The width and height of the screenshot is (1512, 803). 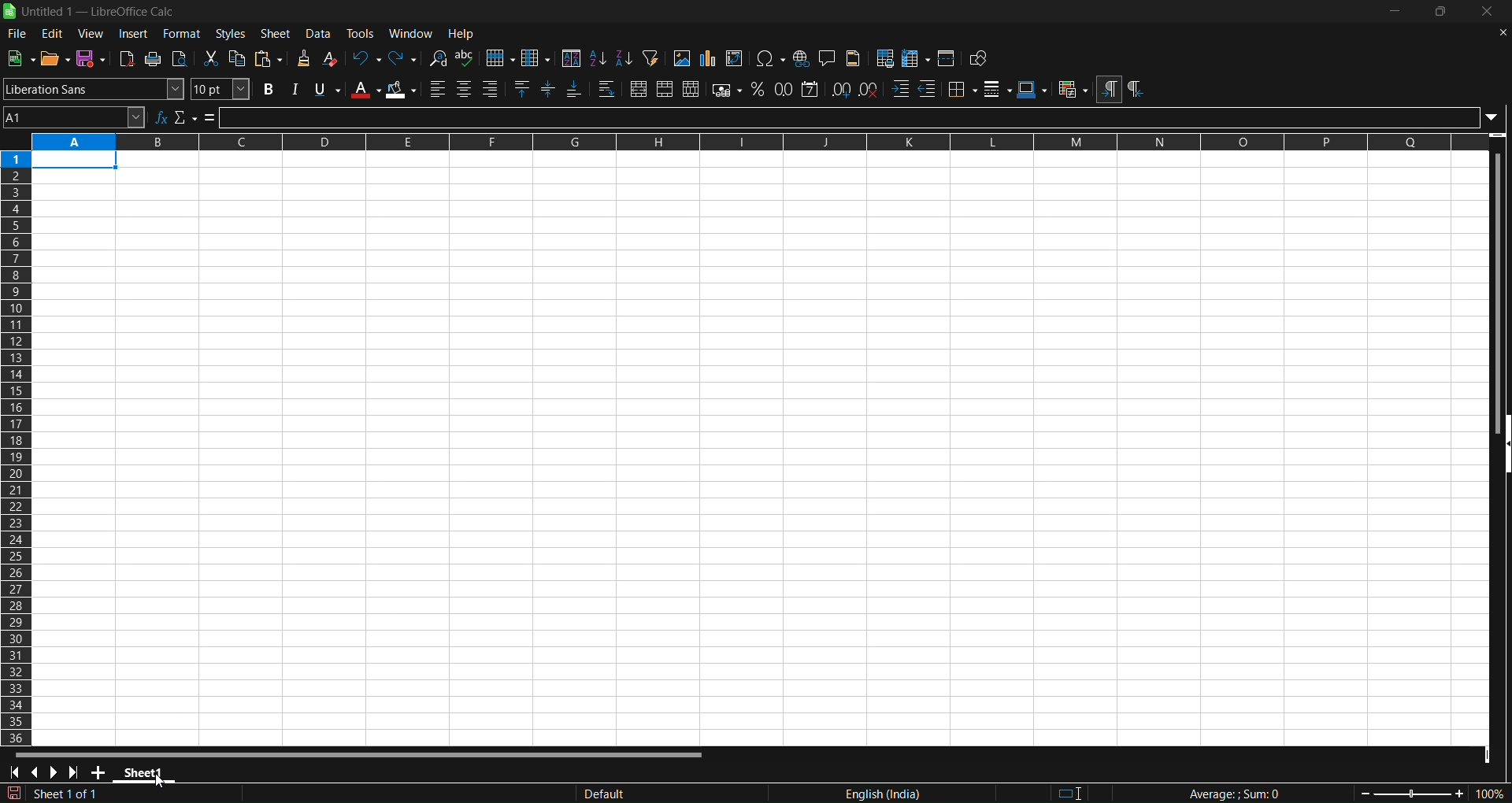 What do you see at coordinates (465, 58) in the screenshot?
I see `spelling` at bounding box center [465, 58].